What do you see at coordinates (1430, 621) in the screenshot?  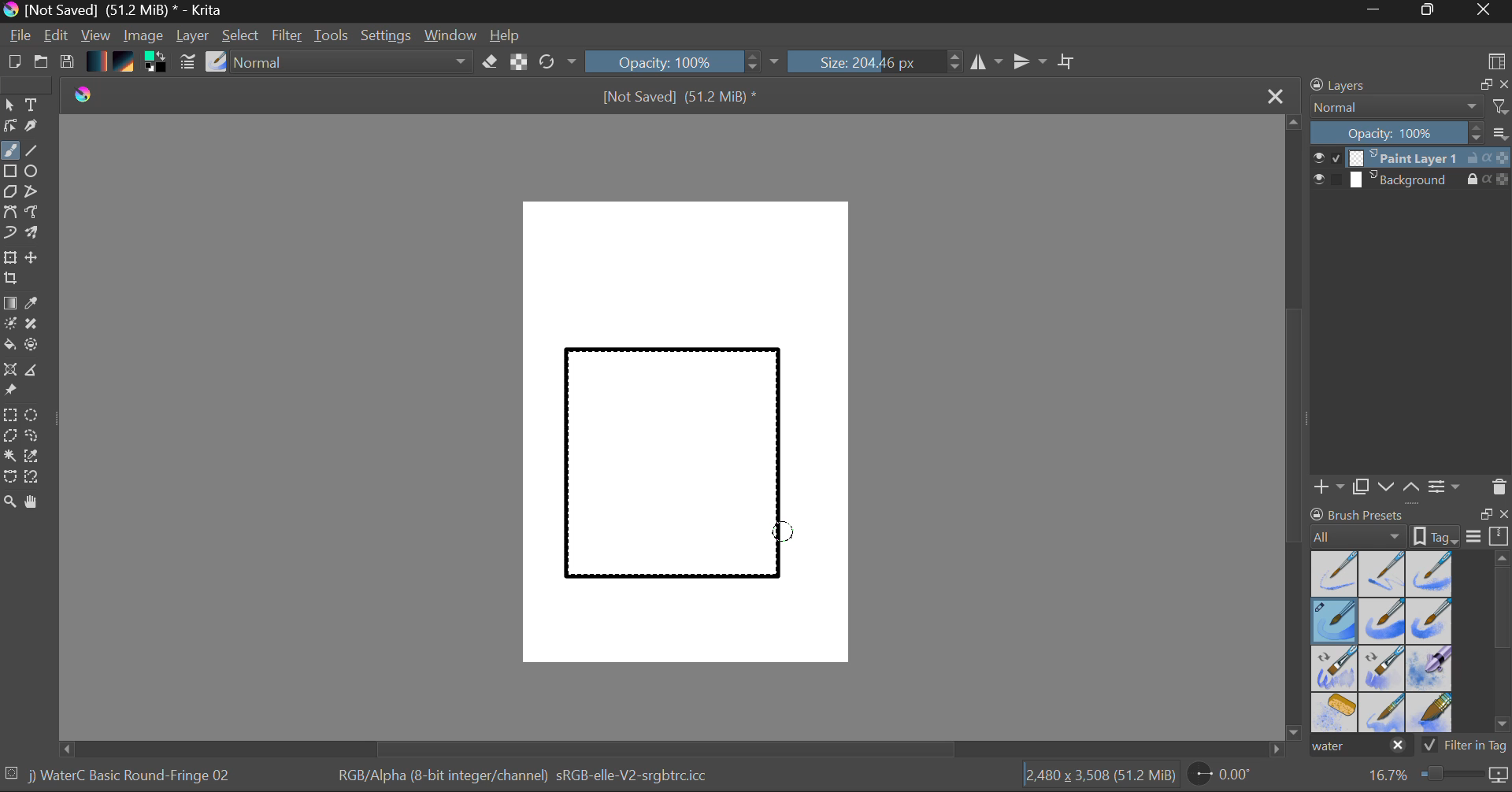 I see `Water C - Grunge` at bounding box center [1430, 621].